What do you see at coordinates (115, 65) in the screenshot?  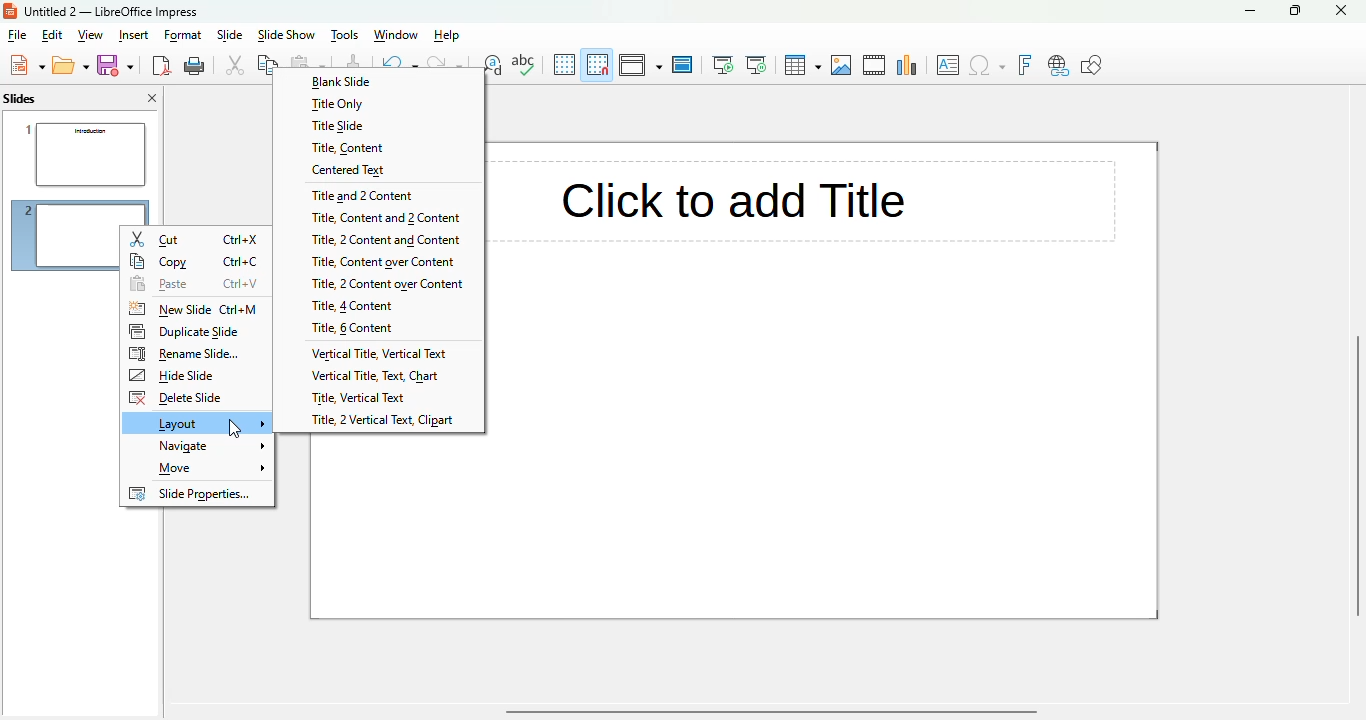 I see `save` at bounding box center [115, 65].